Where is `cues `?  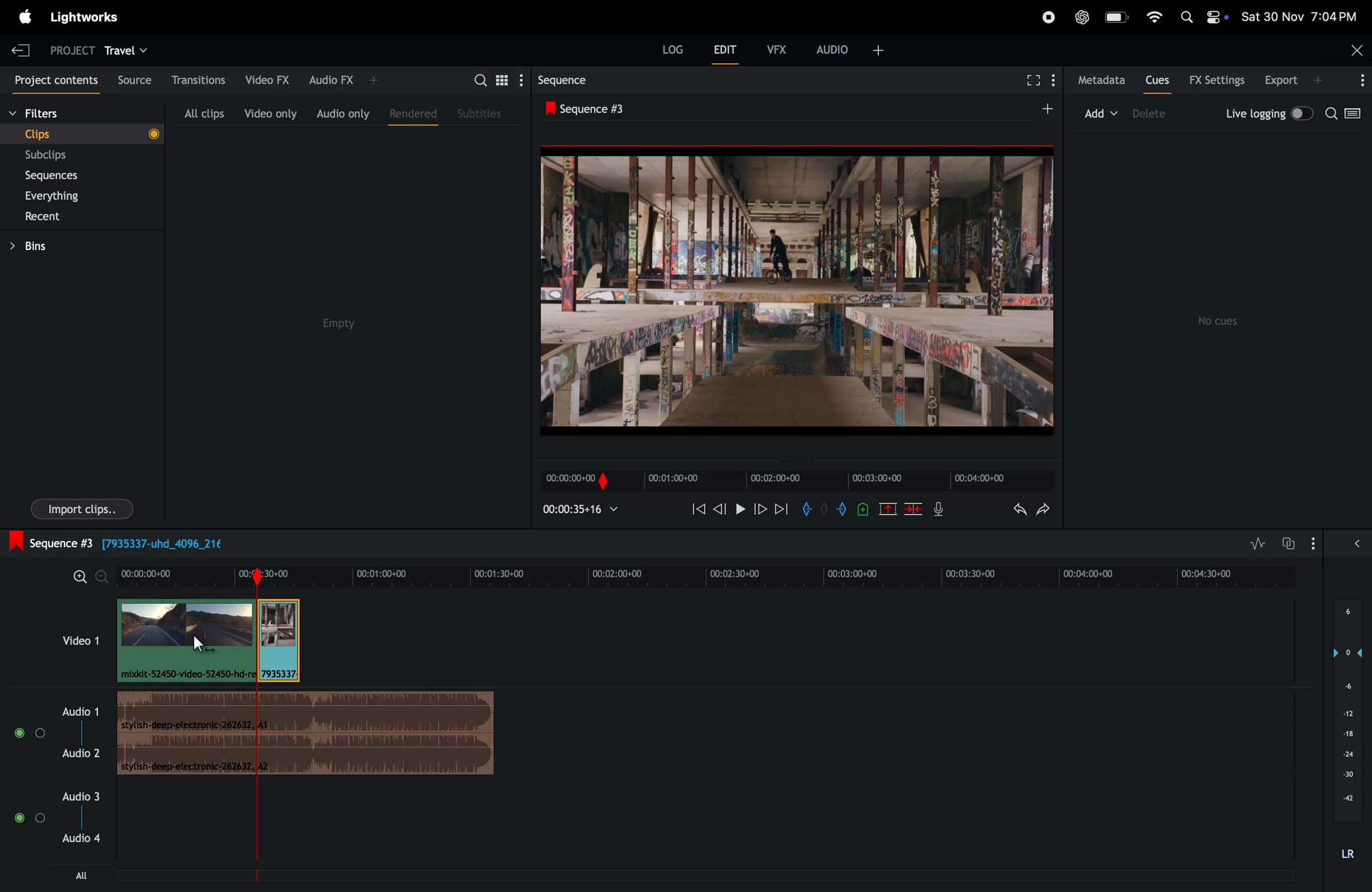
cues  is located at coordinates (1157, 80).